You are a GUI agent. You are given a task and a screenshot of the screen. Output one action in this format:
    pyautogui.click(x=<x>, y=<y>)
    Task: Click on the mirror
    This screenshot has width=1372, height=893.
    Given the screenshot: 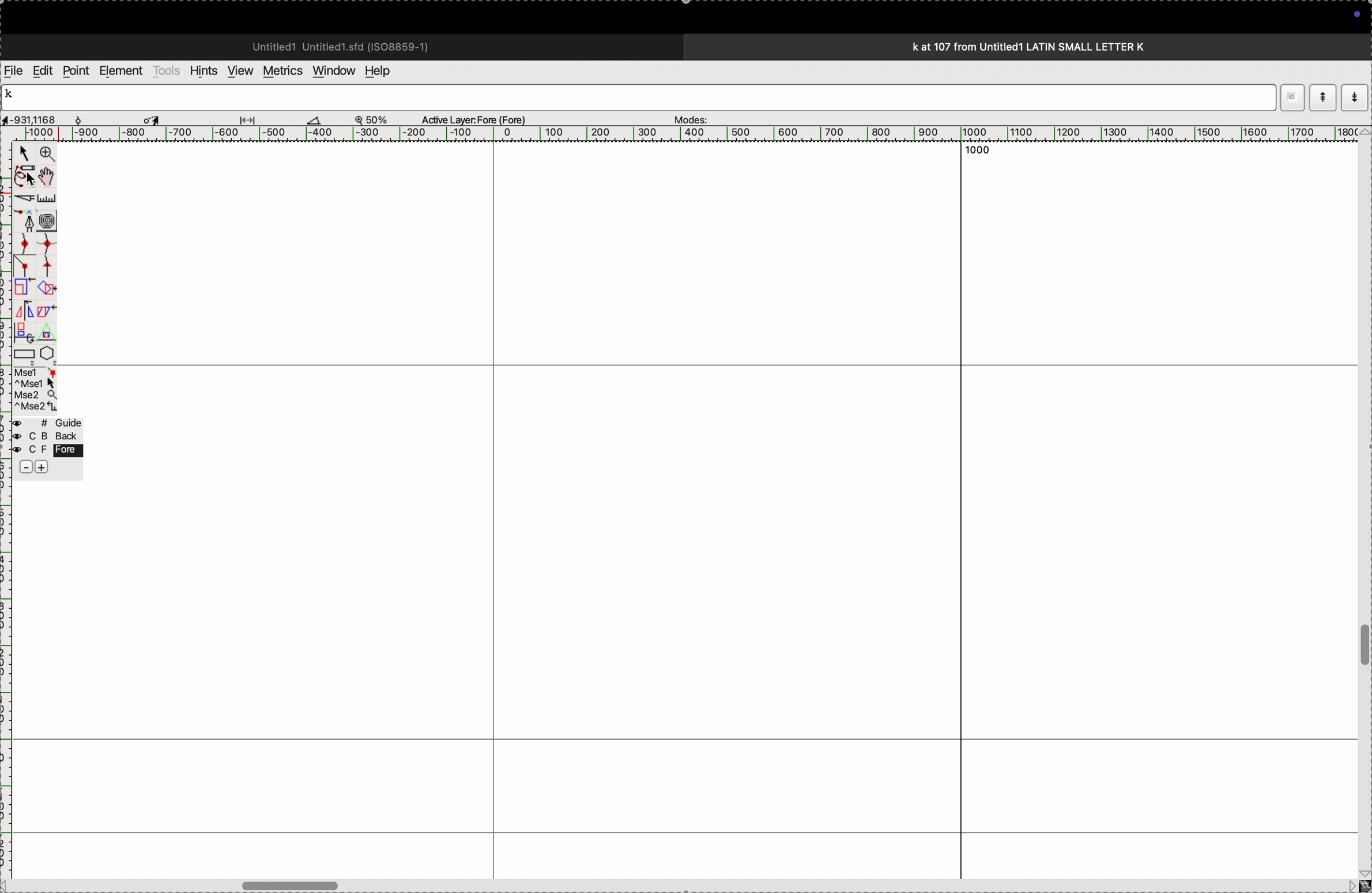 What is the action you would take?
    pyautogui.click(x=25, y=320)
    